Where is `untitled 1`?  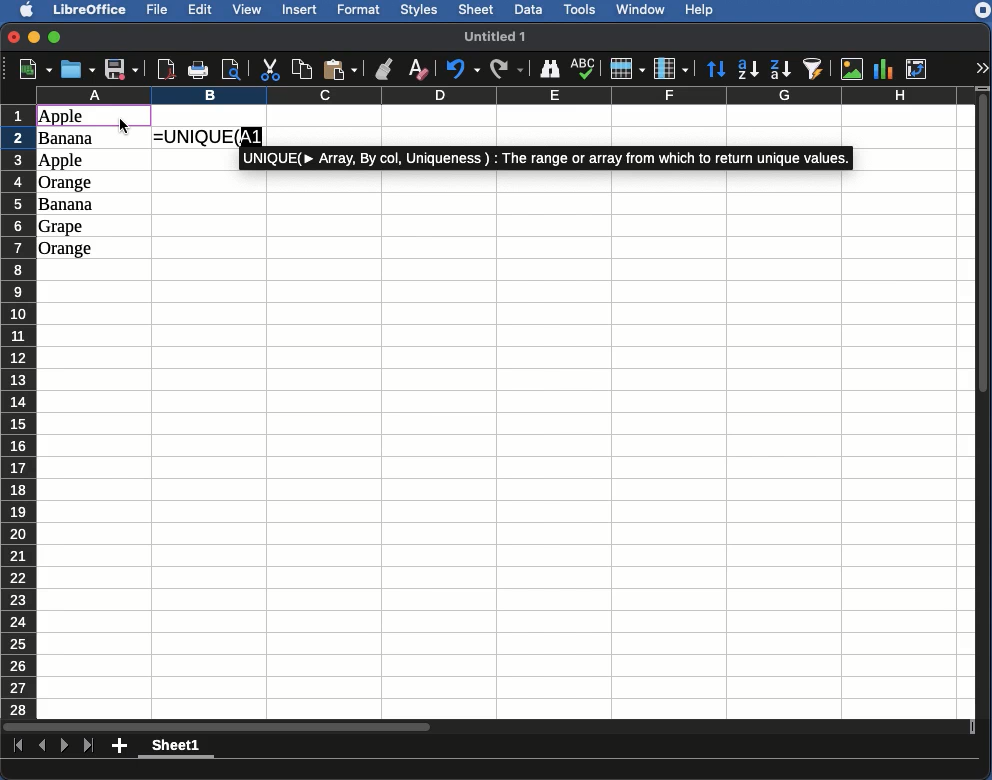 untitled 1 is located at coordinates (503, 35).